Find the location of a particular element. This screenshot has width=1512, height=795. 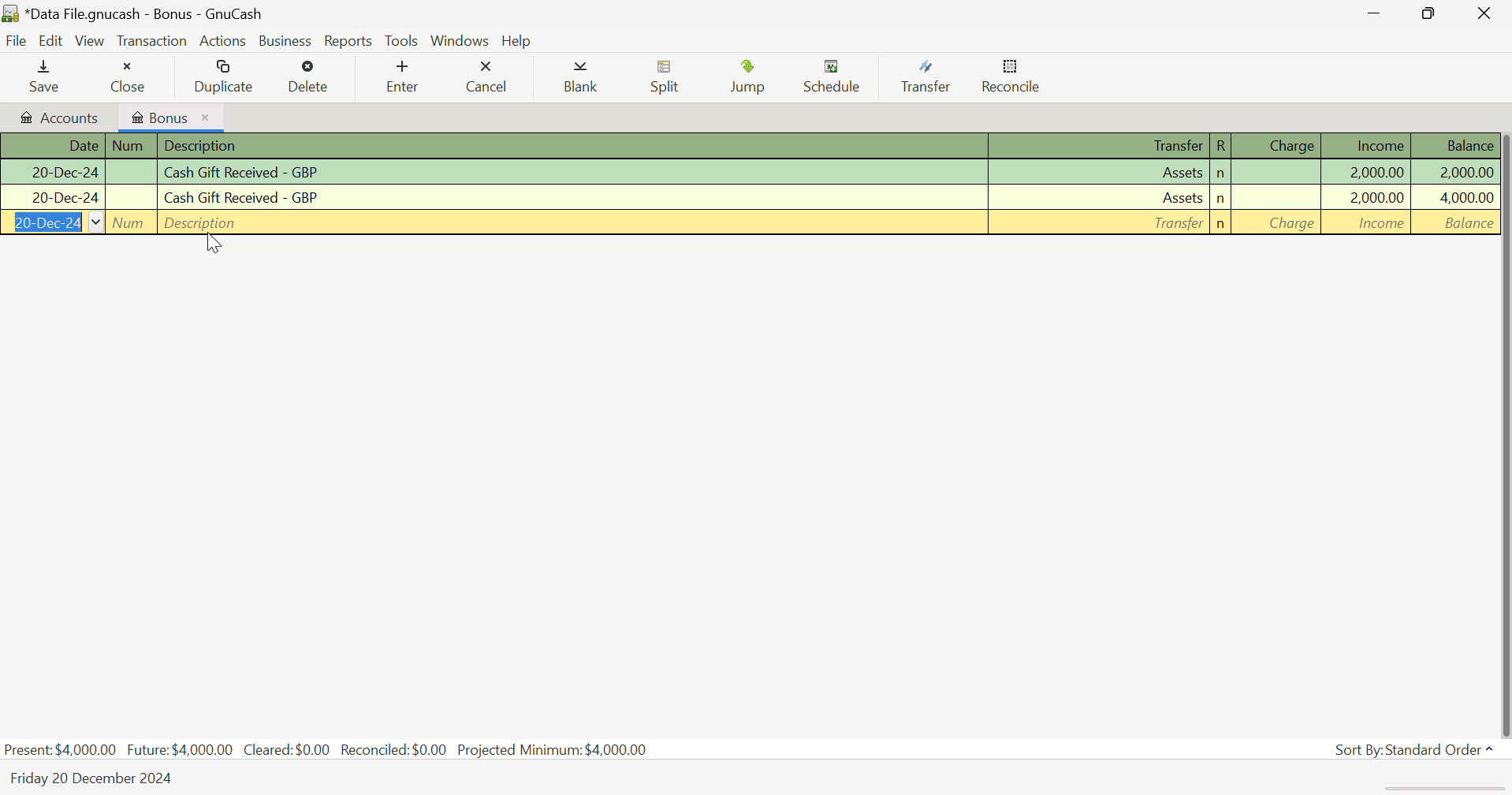

Sort By: Standard Order is located at coordinates (1417, 750).